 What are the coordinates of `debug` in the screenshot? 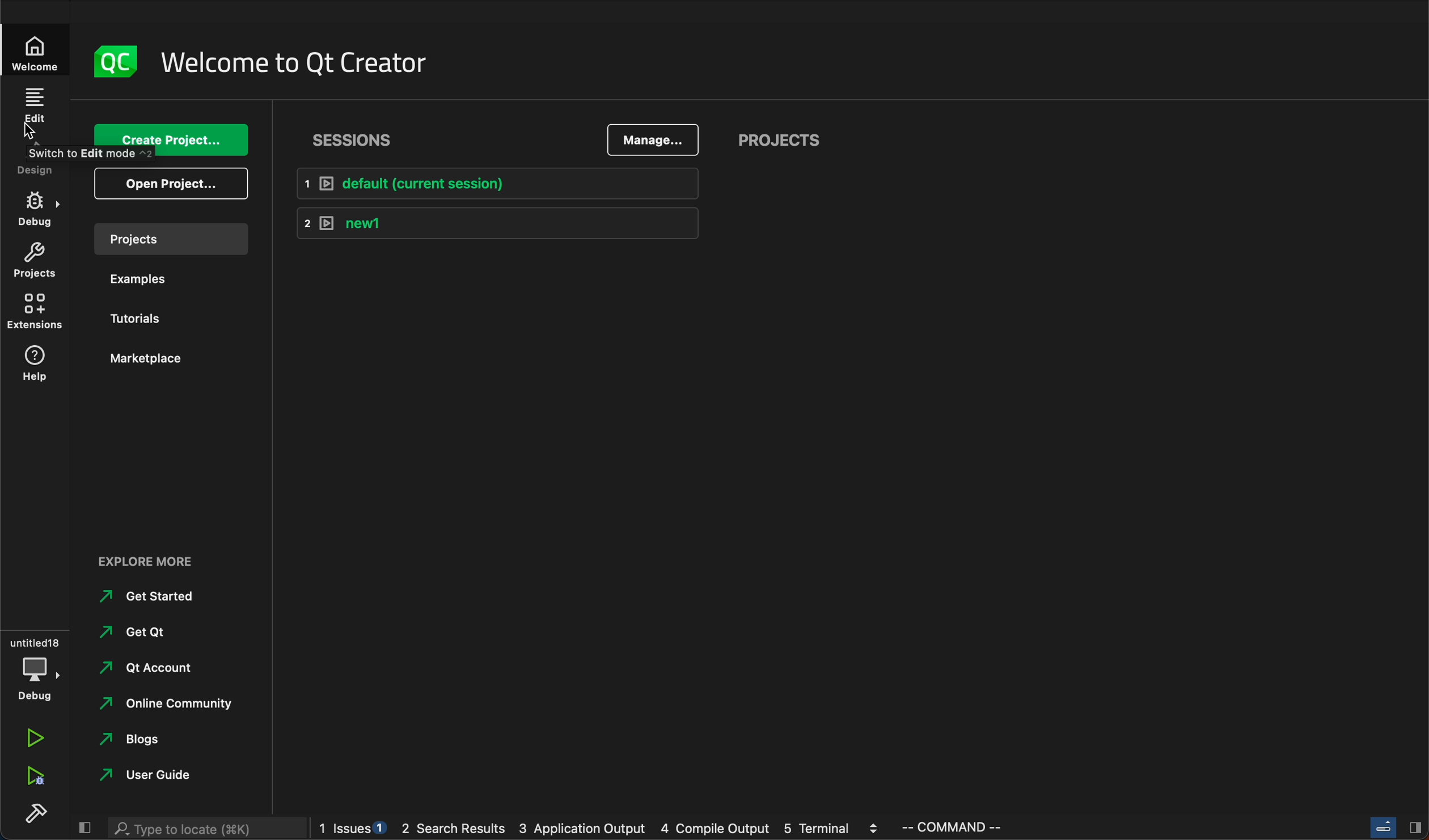 It's located at (35, 212).